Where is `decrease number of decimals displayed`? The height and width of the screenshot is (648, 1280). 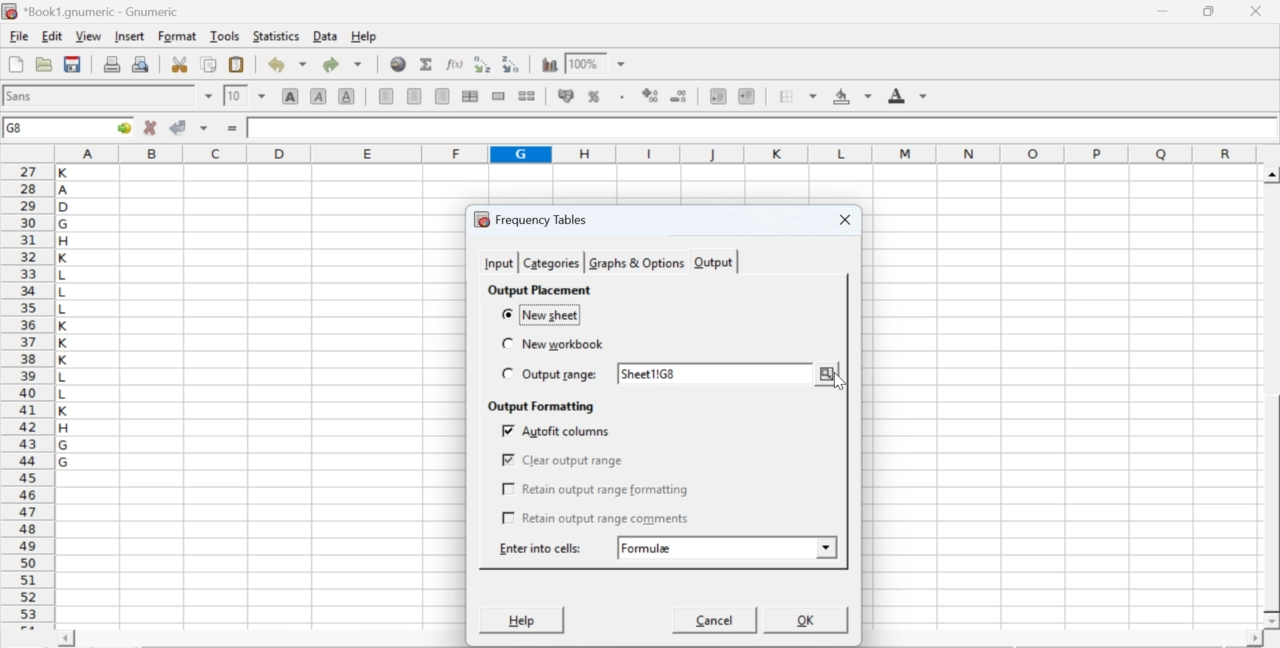
decrease number of decimals displayed is located at coordinates (650, 96).